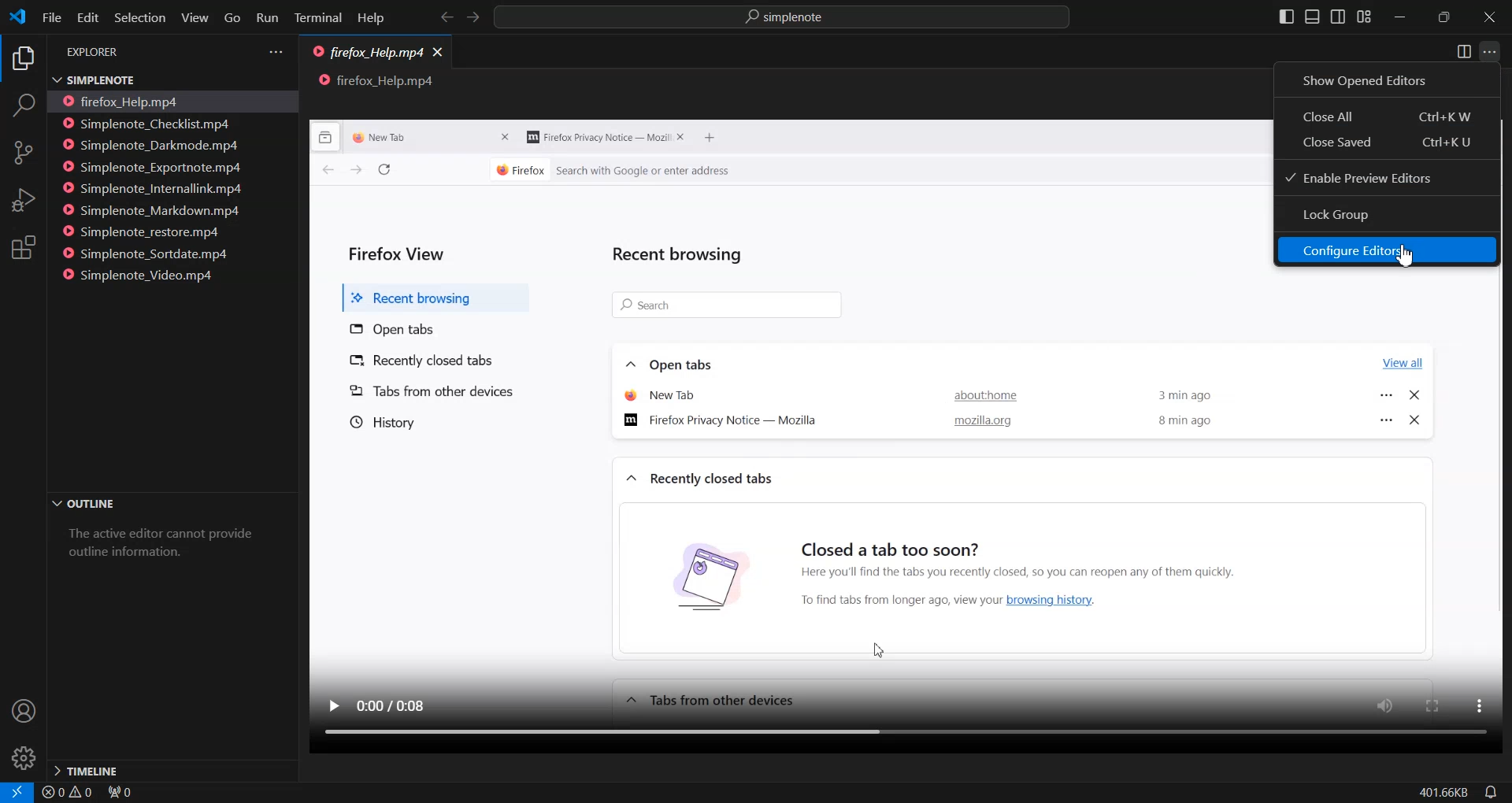 The image size is (1512, 803). What do you see at coordinates (146, 274) in the screenshot?
I see `Simplenote_Video.mp4` at bounding box center [146, 274].